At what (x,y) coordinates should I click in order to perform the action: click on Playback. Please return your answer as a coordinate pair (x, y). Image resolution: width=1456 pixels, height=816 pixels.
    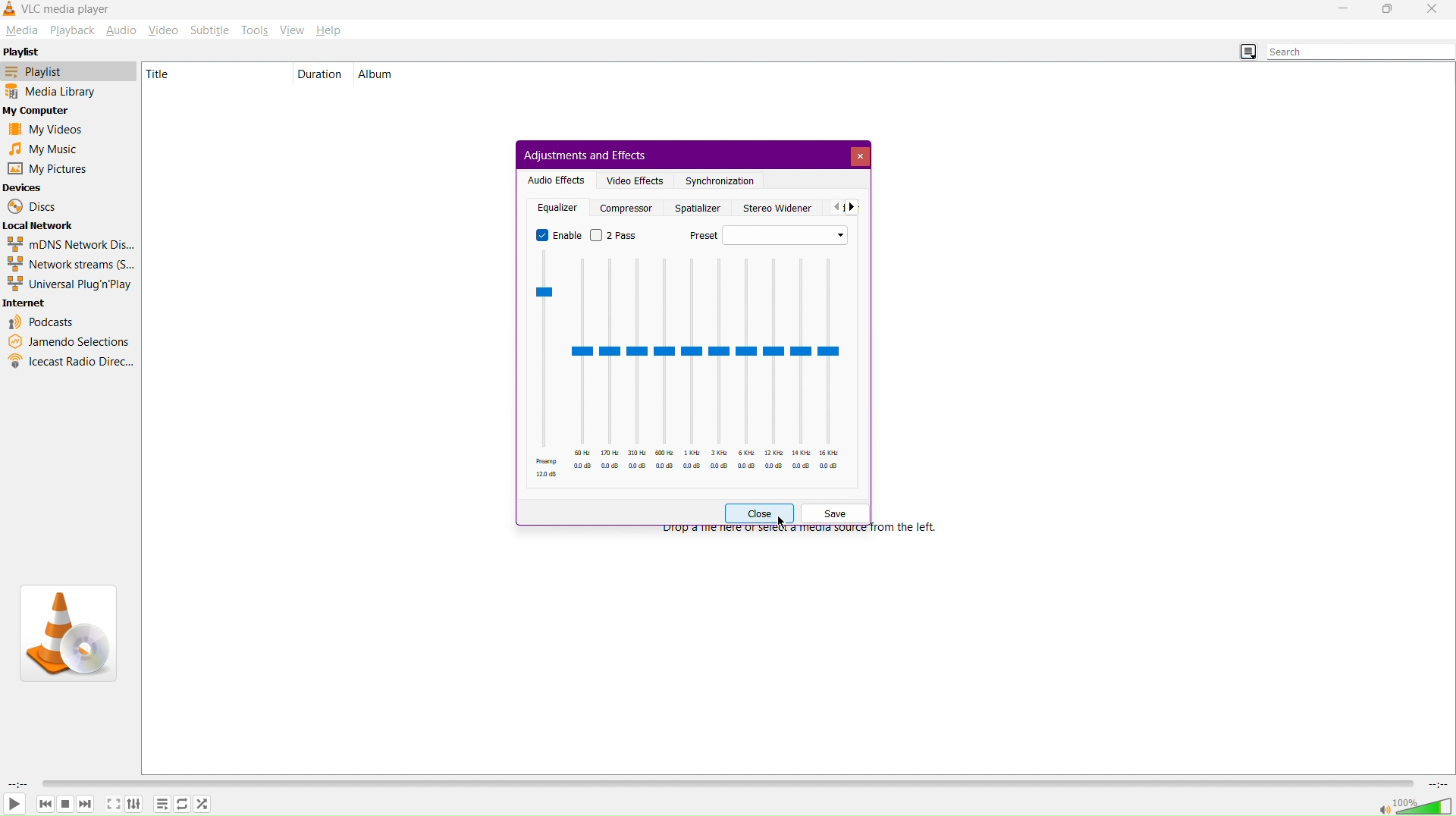
    Looking at the image, I should click on (71, 29).